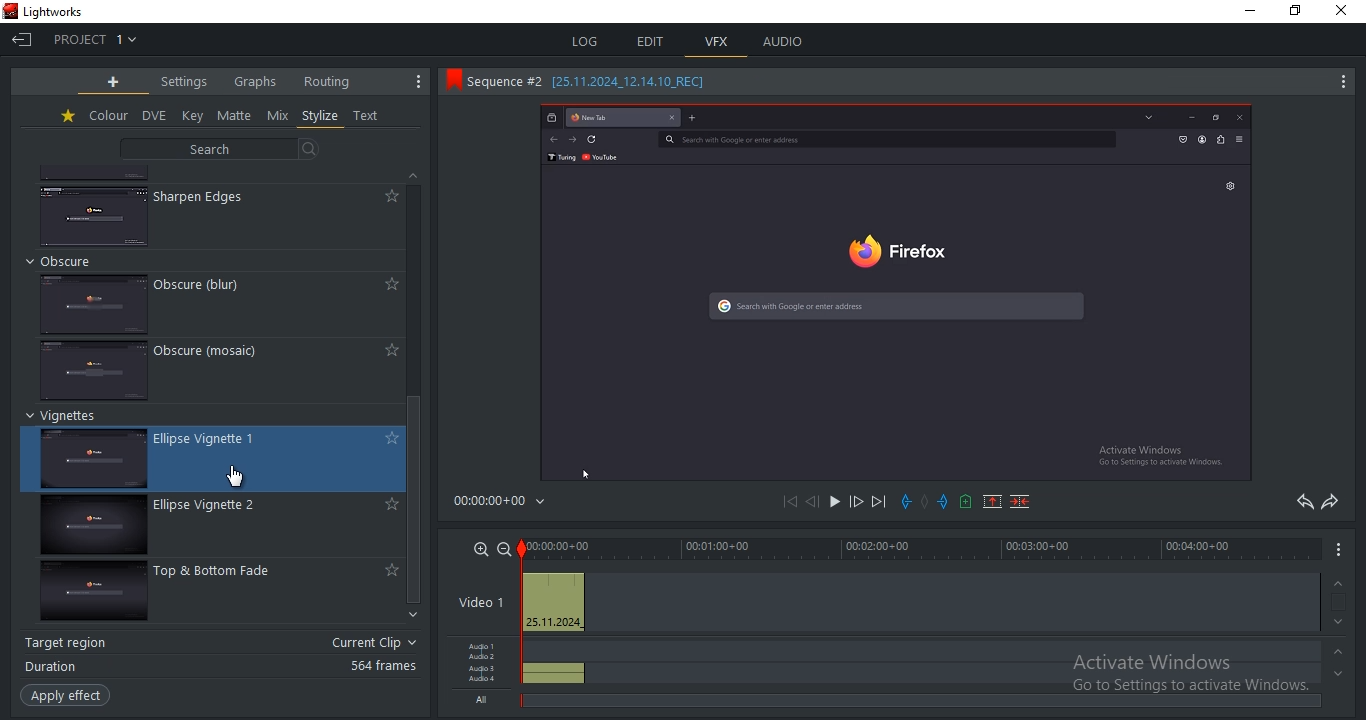 Image resolution: width=1366 pixels, height=720 pixels. Describe the element at coordinates (483, 702) in the screenshot. I see `All` at that location.